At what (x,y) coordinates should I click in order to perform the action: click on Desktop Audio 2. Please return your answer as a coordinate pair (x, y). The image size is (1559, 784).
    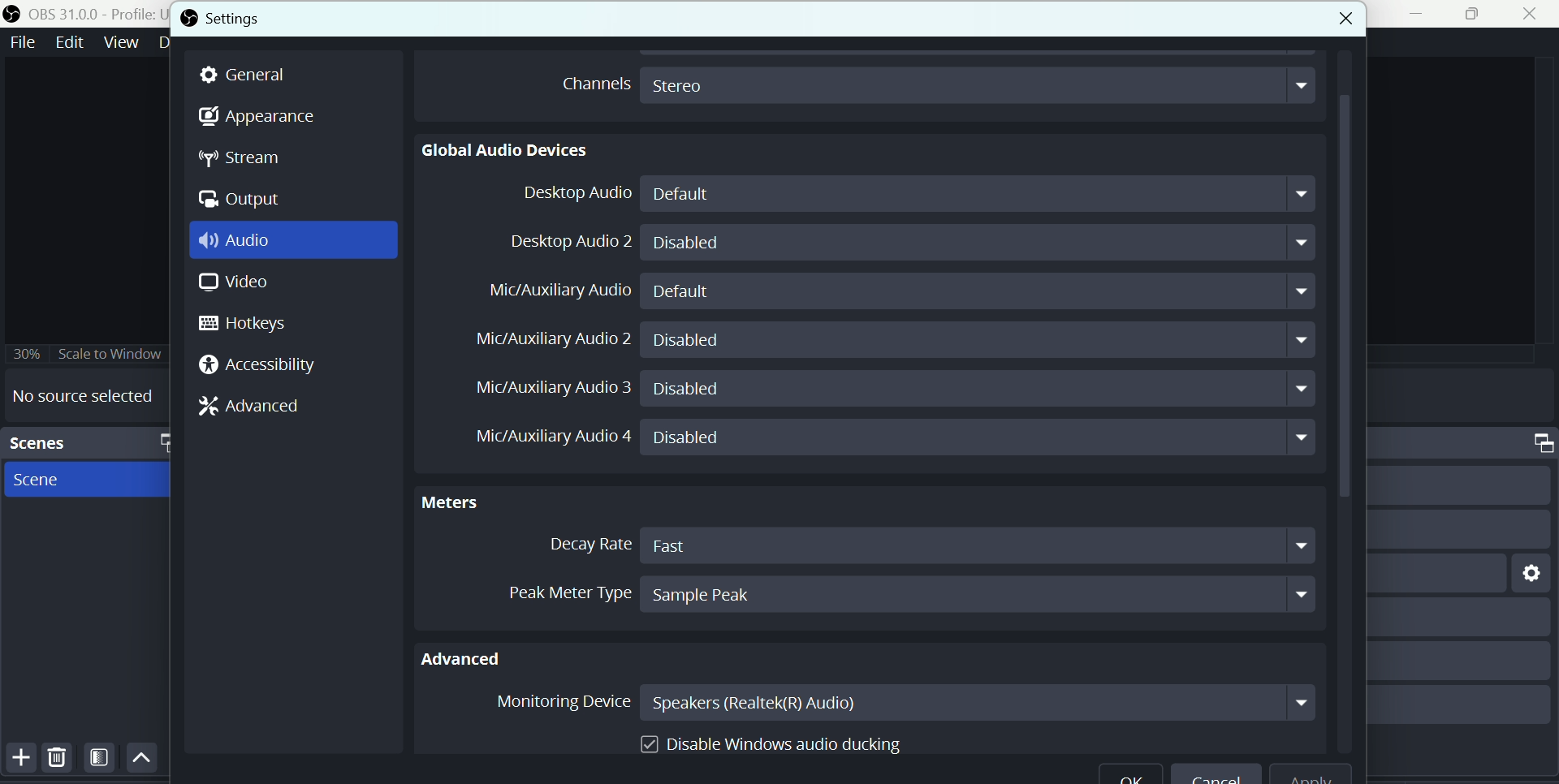
    Looking at the image, I should click on (567, 241).